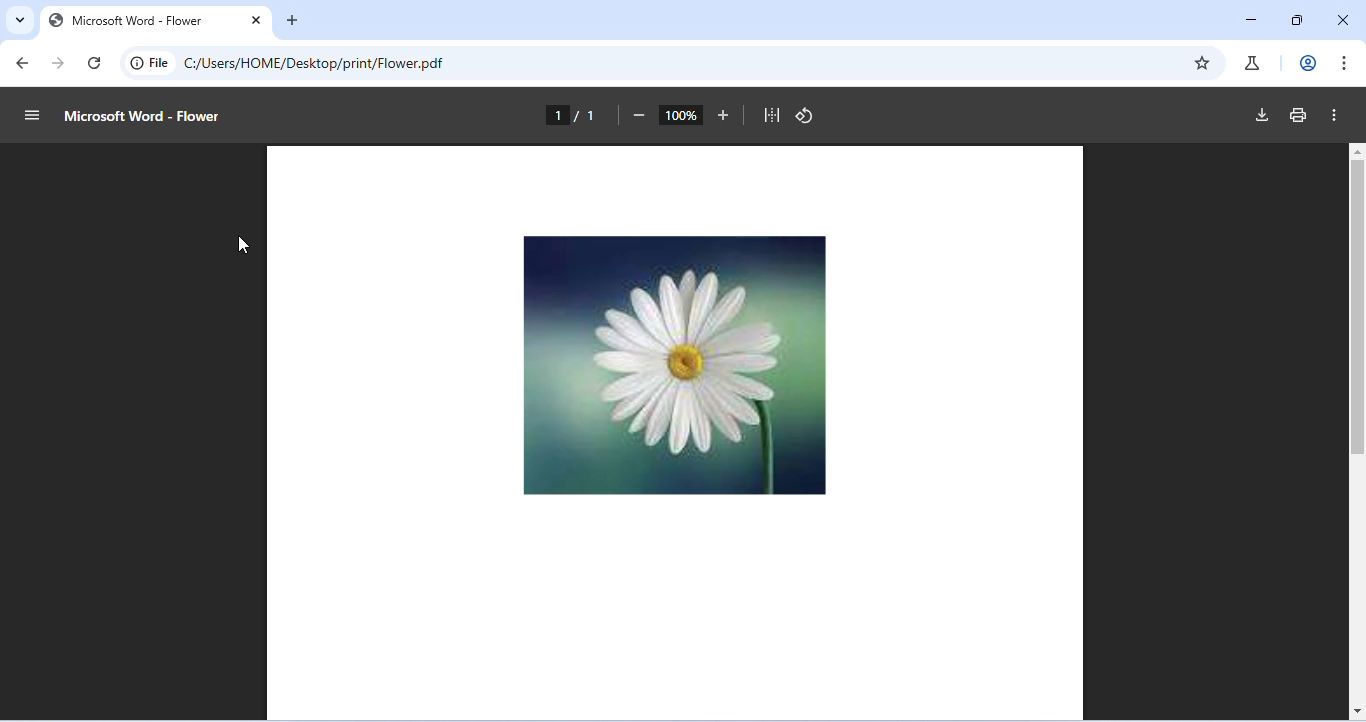 The image size is (1366, 722). What do you see at coordinates (293, 22) in the screenshot?
I see `add` at bounding box center [293, 22].